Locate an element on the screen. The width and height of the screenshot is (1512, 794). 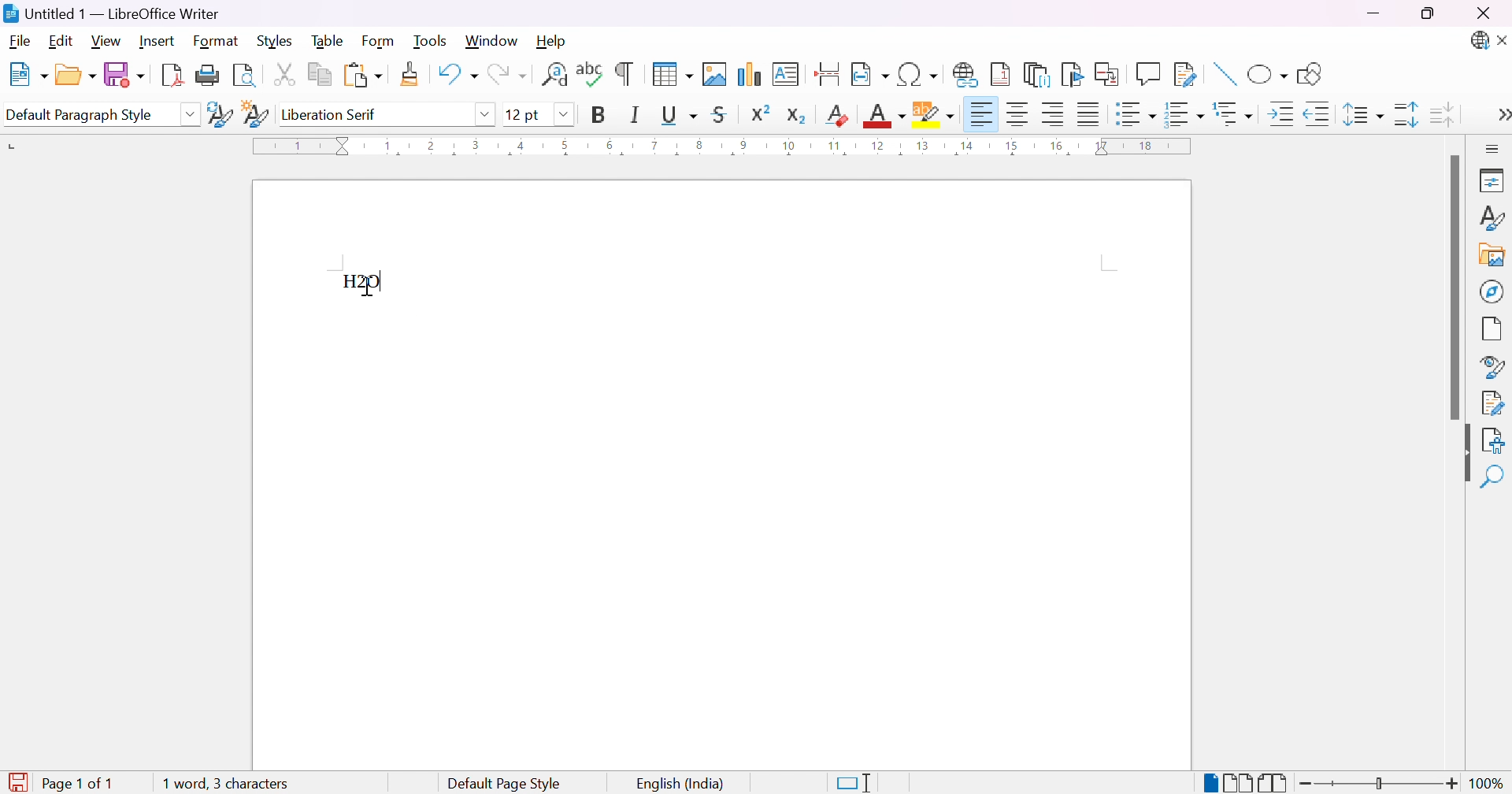
 is located at coordinates (556, 76).